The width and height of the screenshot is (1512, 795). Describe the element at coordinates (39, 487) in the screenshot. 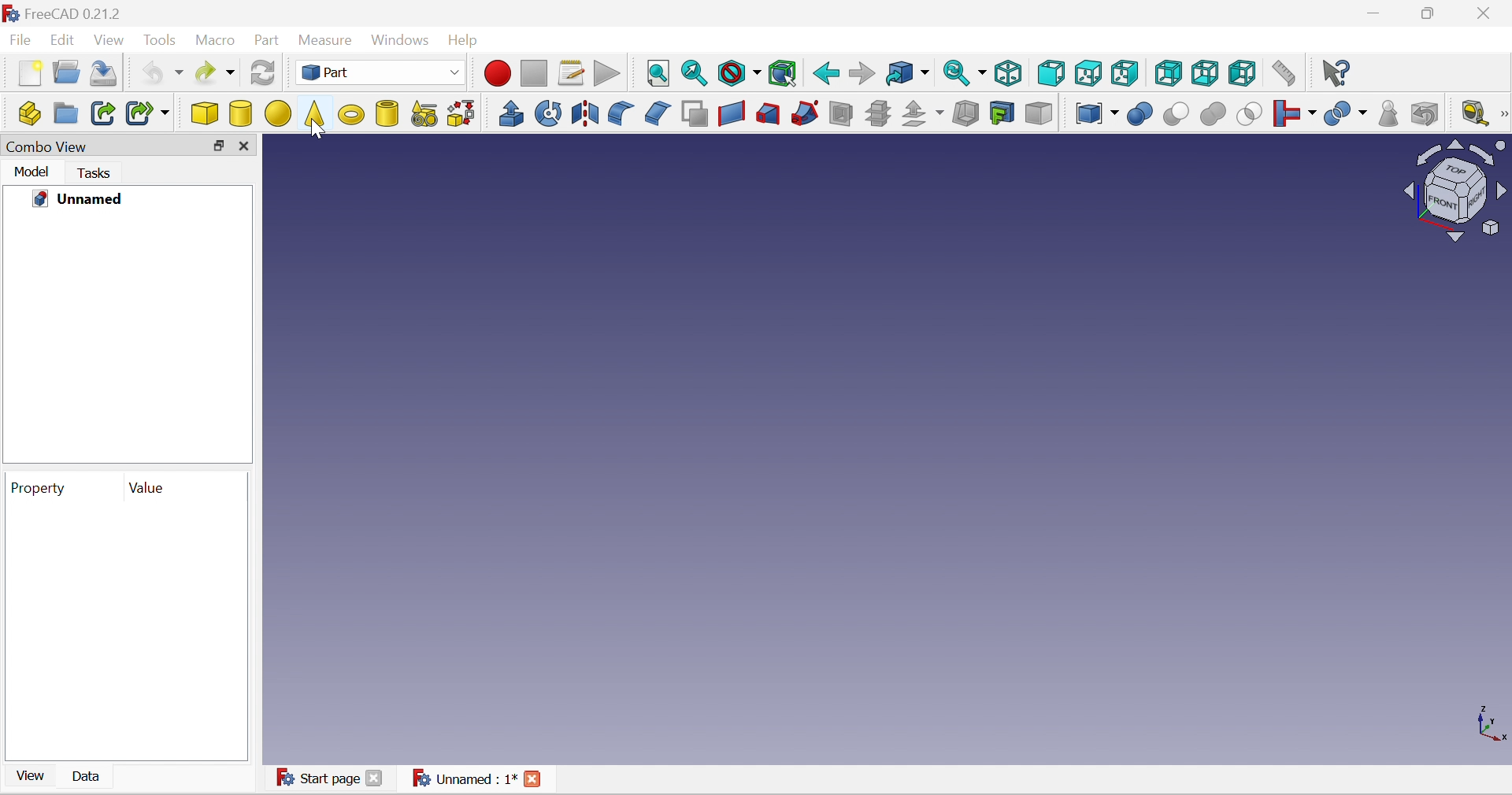

I see `Property` at that location.